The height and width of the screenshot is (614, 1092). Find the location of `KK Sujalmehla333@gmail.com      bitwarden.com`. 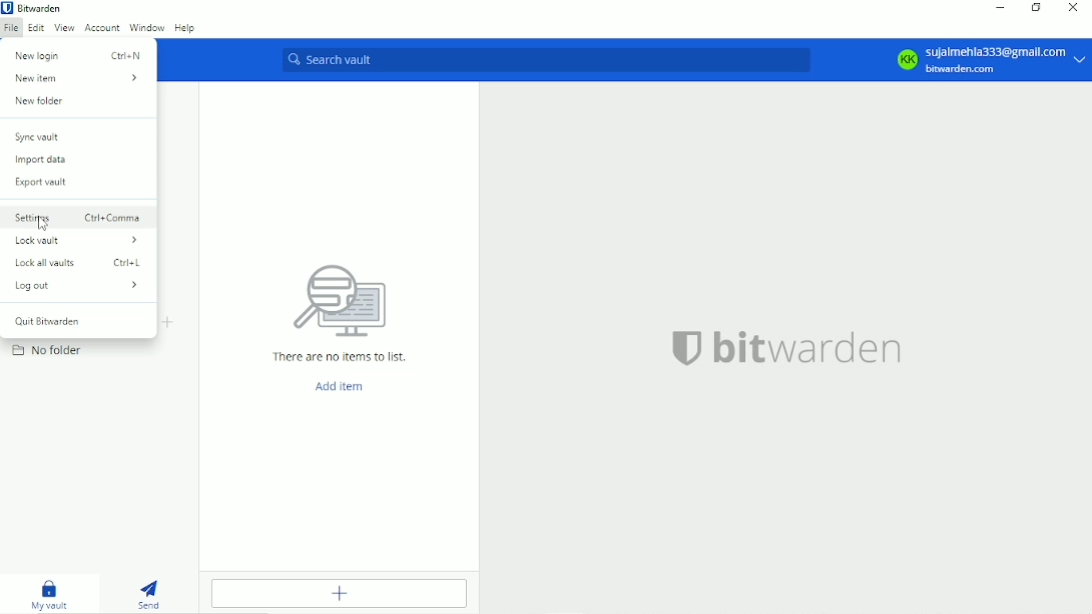

KK Sujalmehla333@gmail.com      bitwarden.com is located at coordinates (990, 60).